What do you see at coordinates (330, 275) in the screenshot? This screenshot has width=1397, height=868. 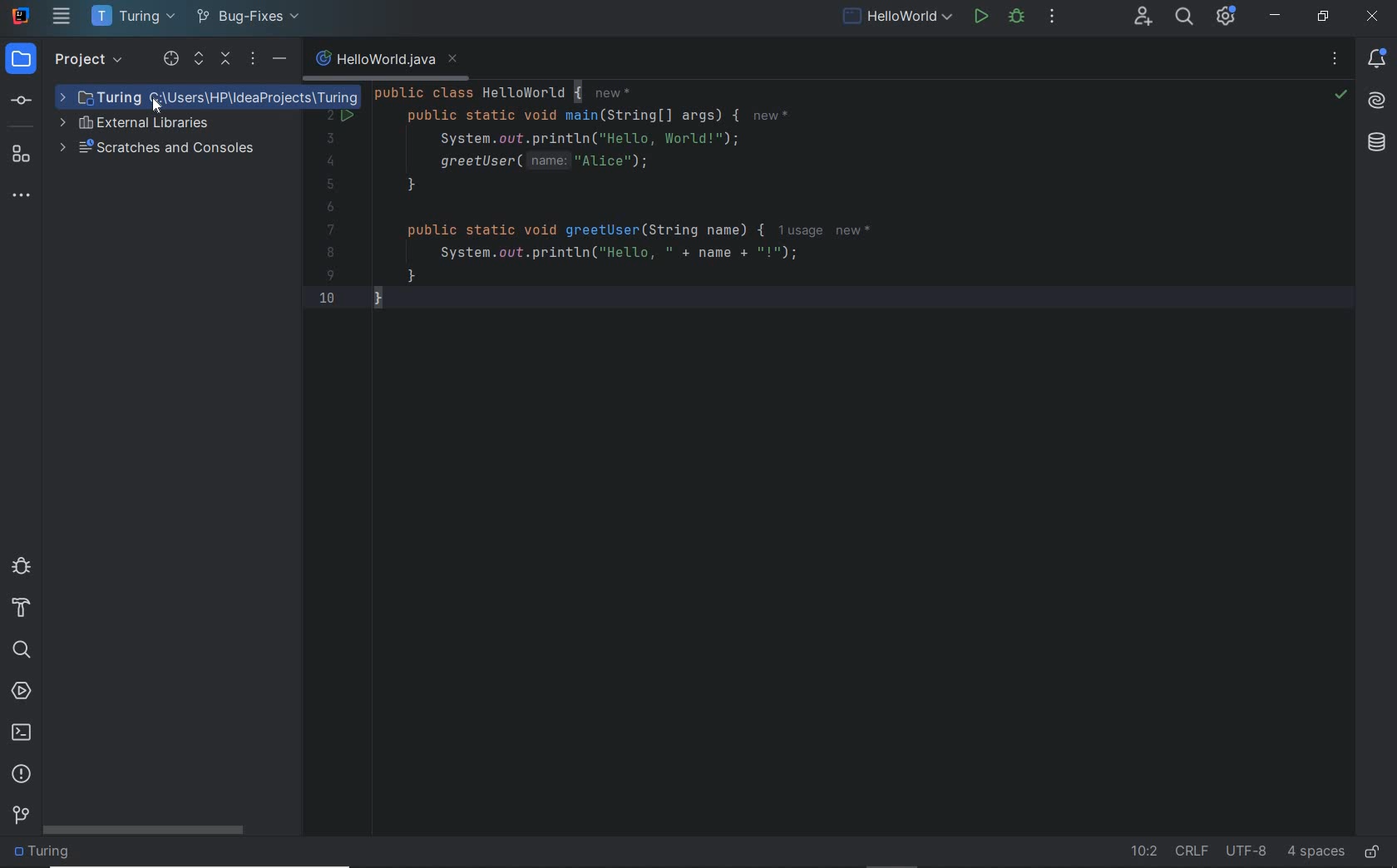 I see `9` at bounding box center [330, 275].